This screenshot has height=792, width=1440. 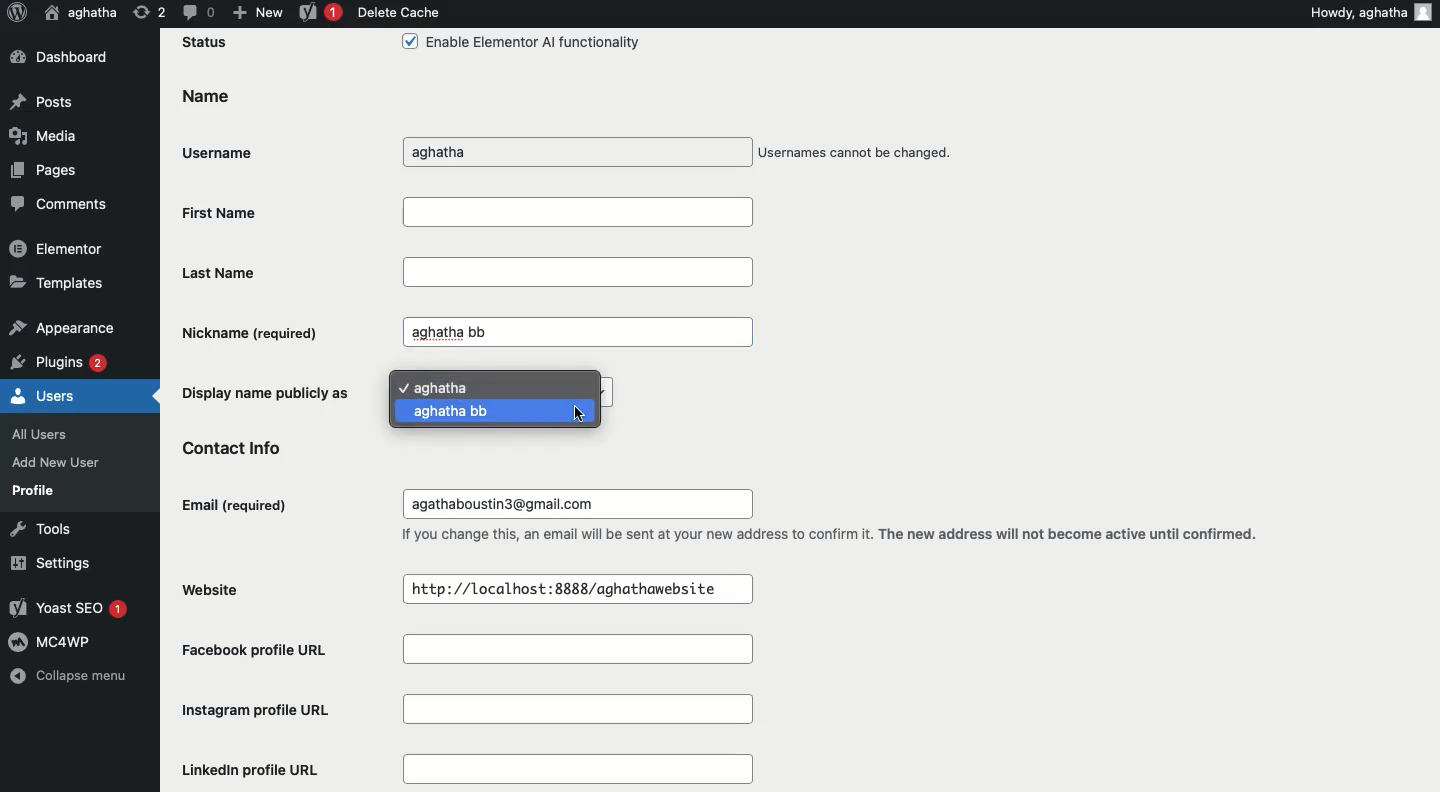 What do you see at coordinates (857, 154) in the screenshot?
I see `Usernames cannot be changed.` at bounding box center [857, 154].